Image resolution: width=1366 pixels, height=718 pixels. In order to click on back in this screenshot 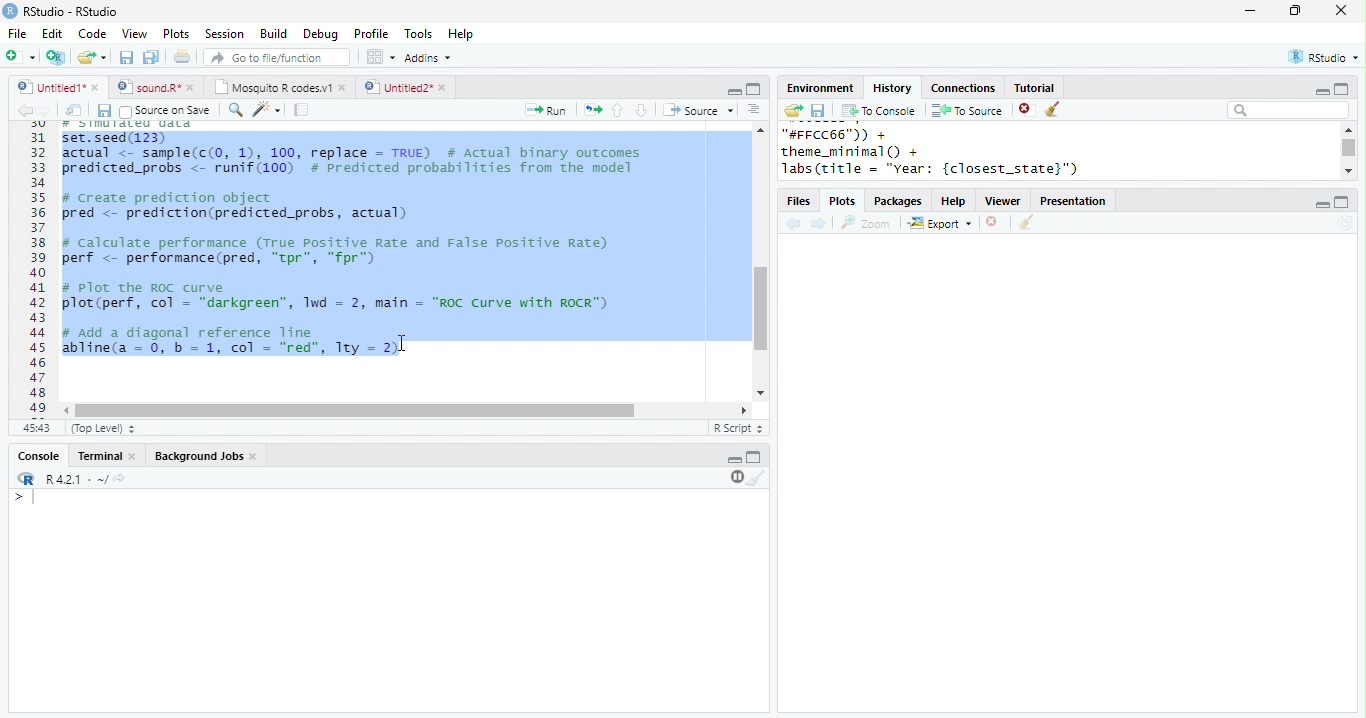, I will do `click(793, 225)`.